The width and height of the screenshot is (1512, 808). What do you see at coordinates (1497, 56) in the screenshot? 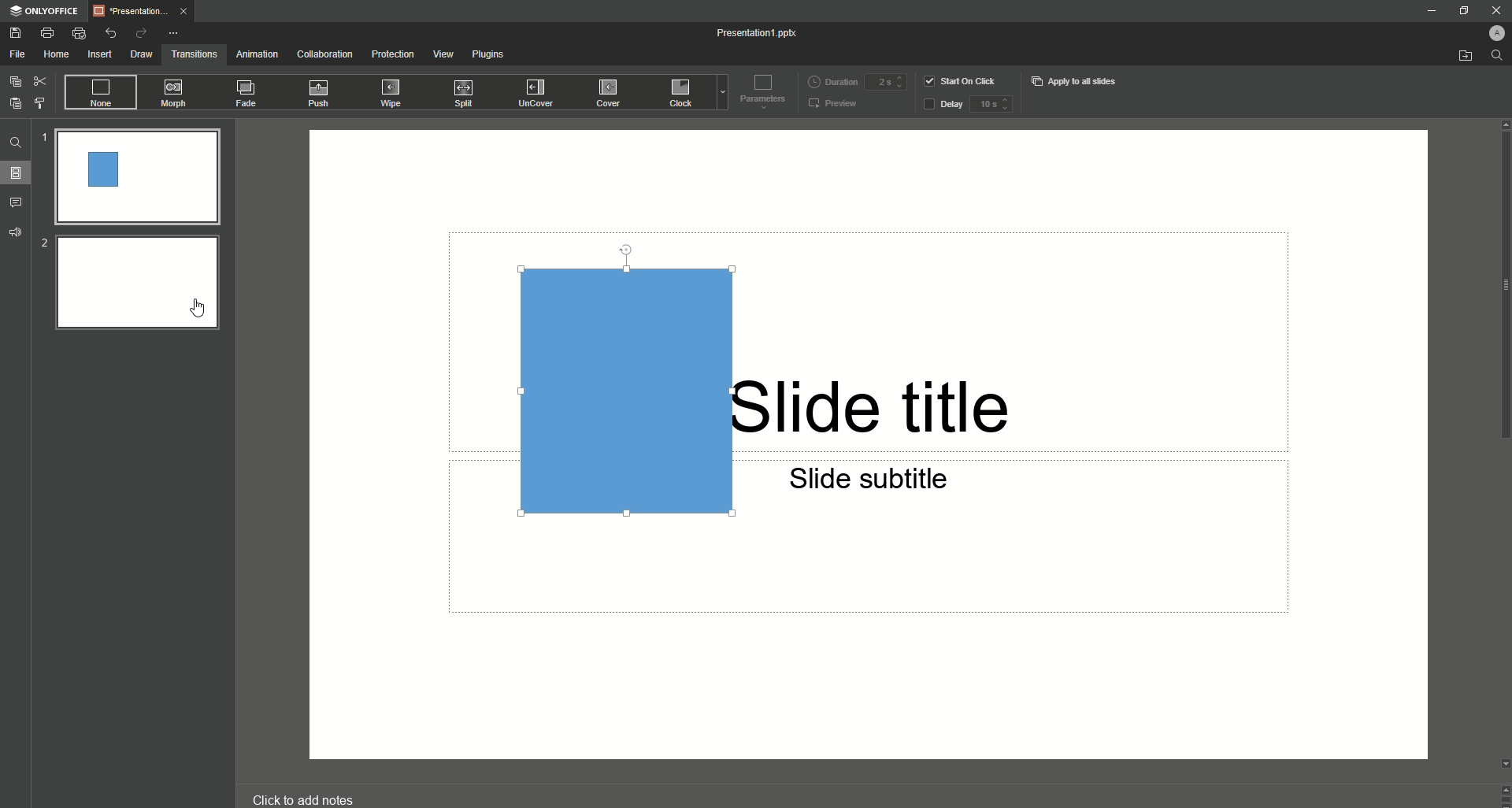
I see `Find` at bounding box center [1497, 56].